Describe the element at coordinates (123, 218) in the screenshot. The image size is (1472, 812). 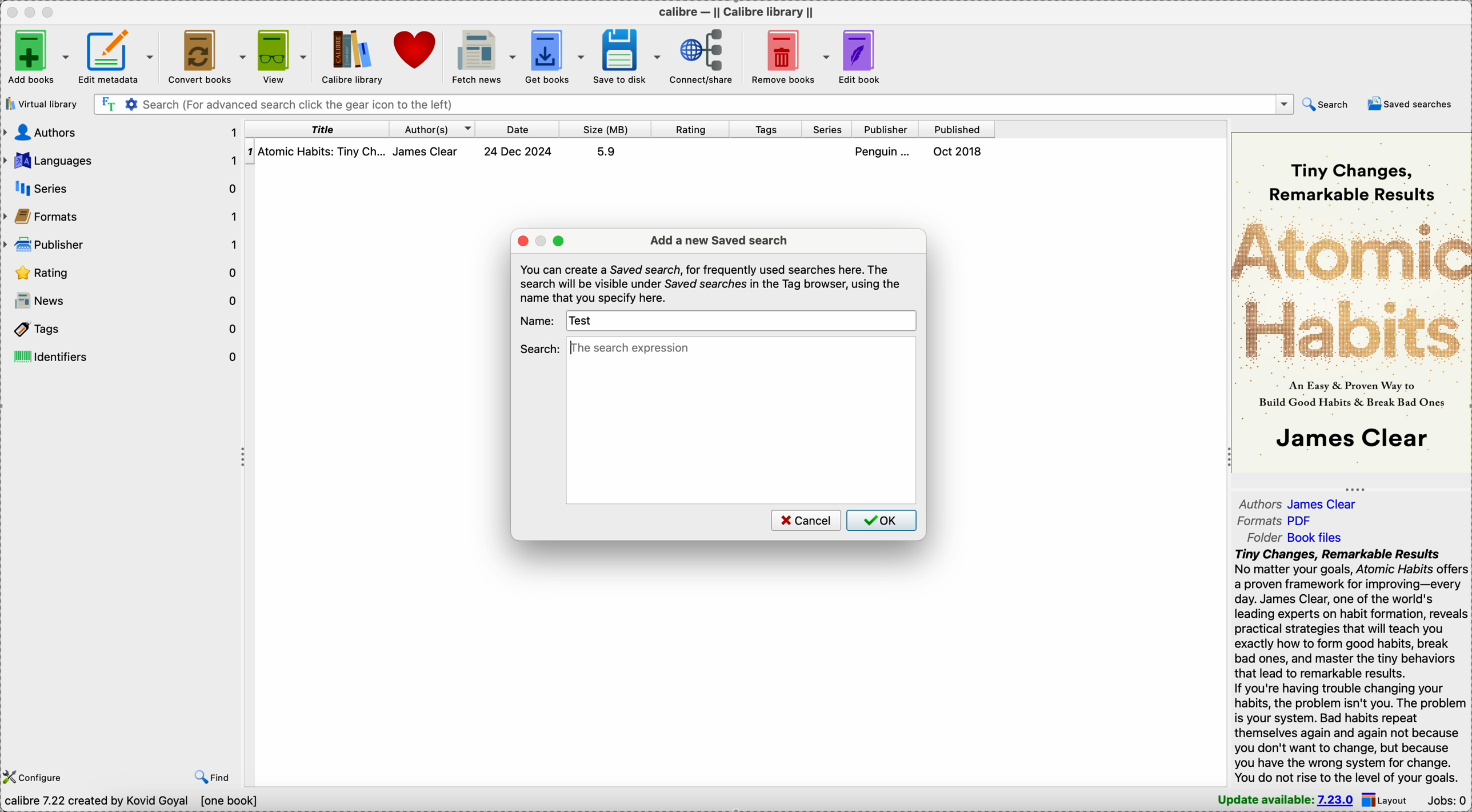
I see `formats` at that location.